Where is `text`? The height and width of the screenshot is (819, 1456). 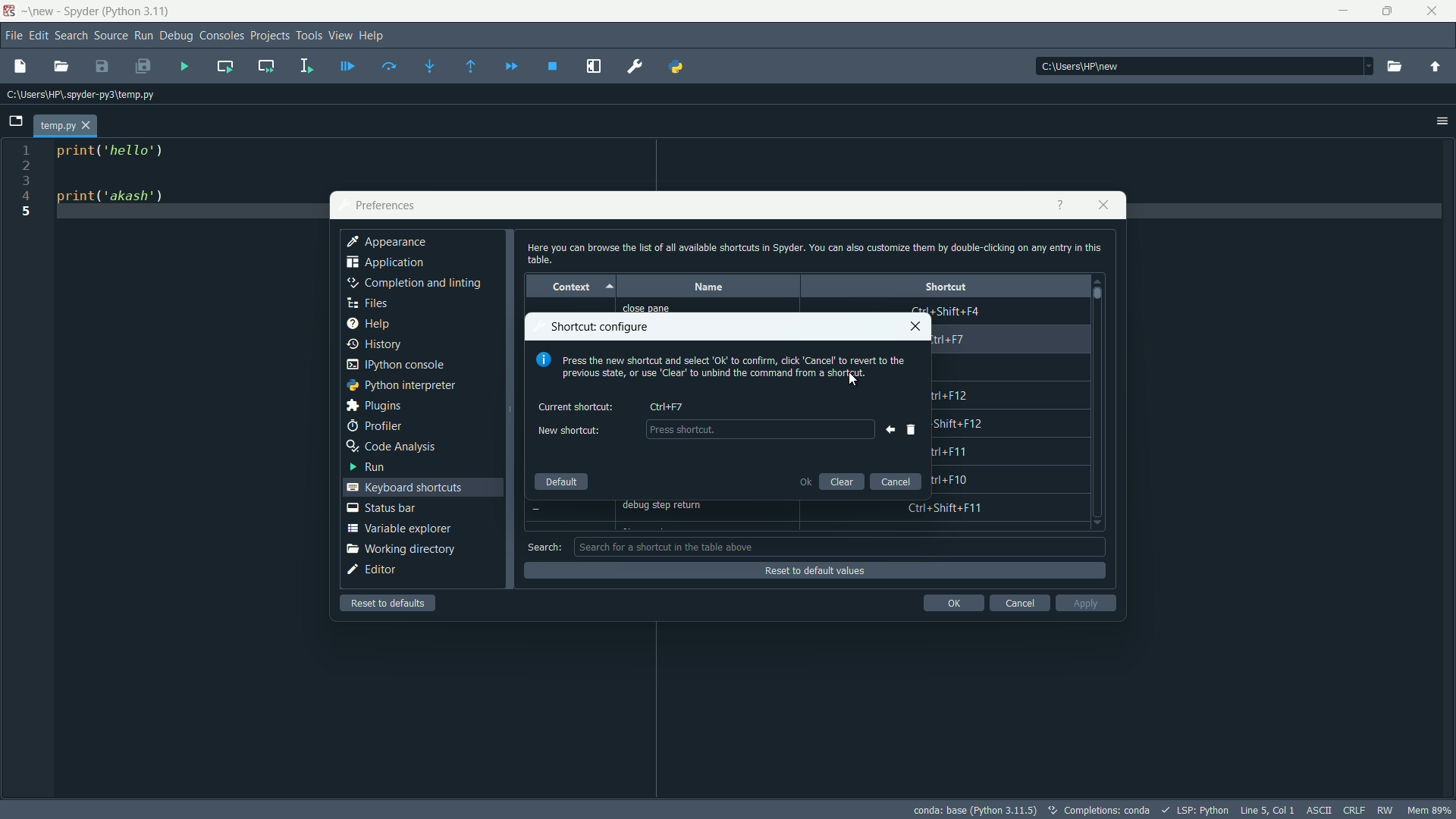
text is located at coordinates (723, 367).